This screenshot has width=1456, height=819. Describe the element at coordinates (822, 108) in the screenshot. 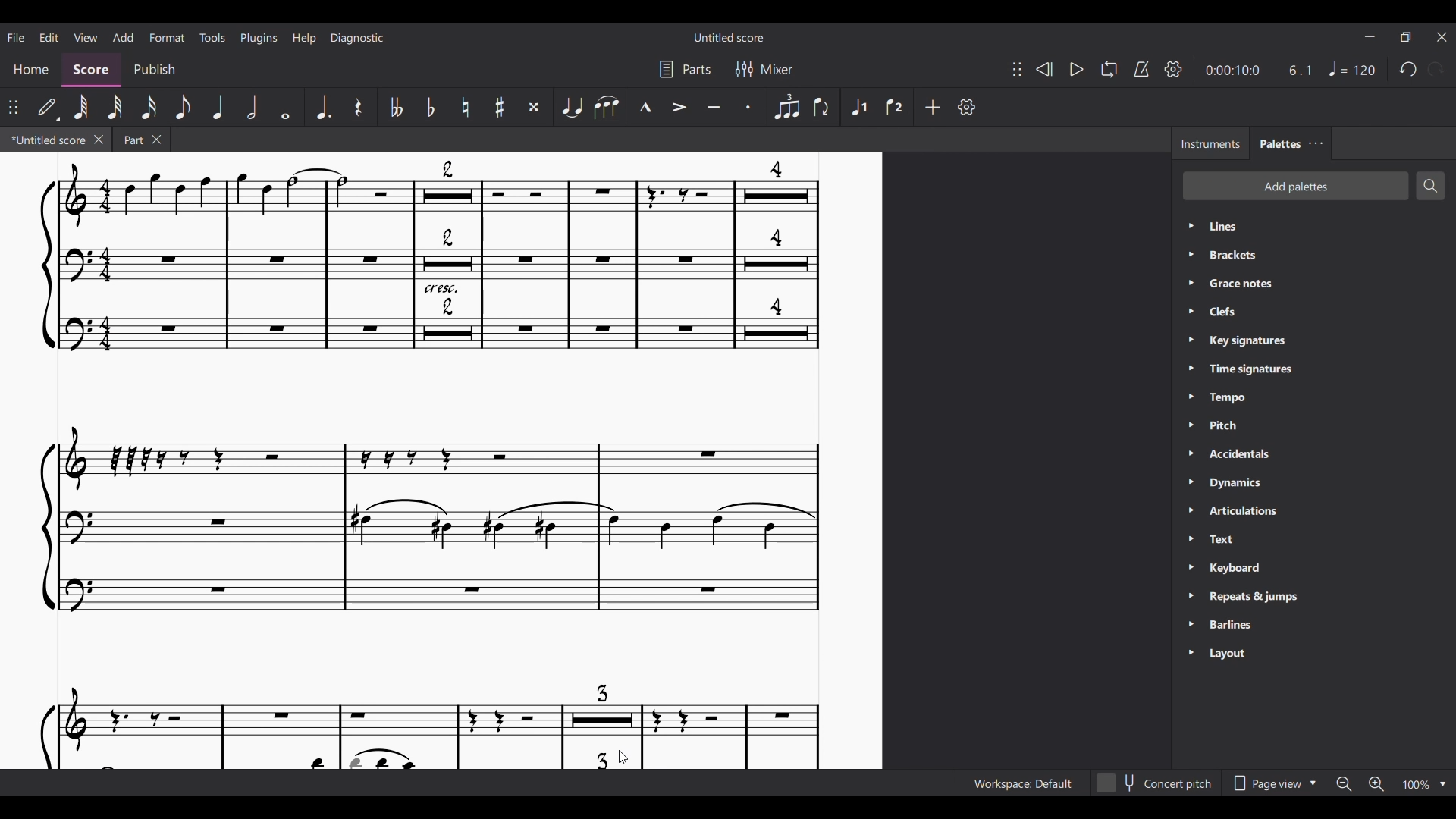

I see `Flip direction` at that location.